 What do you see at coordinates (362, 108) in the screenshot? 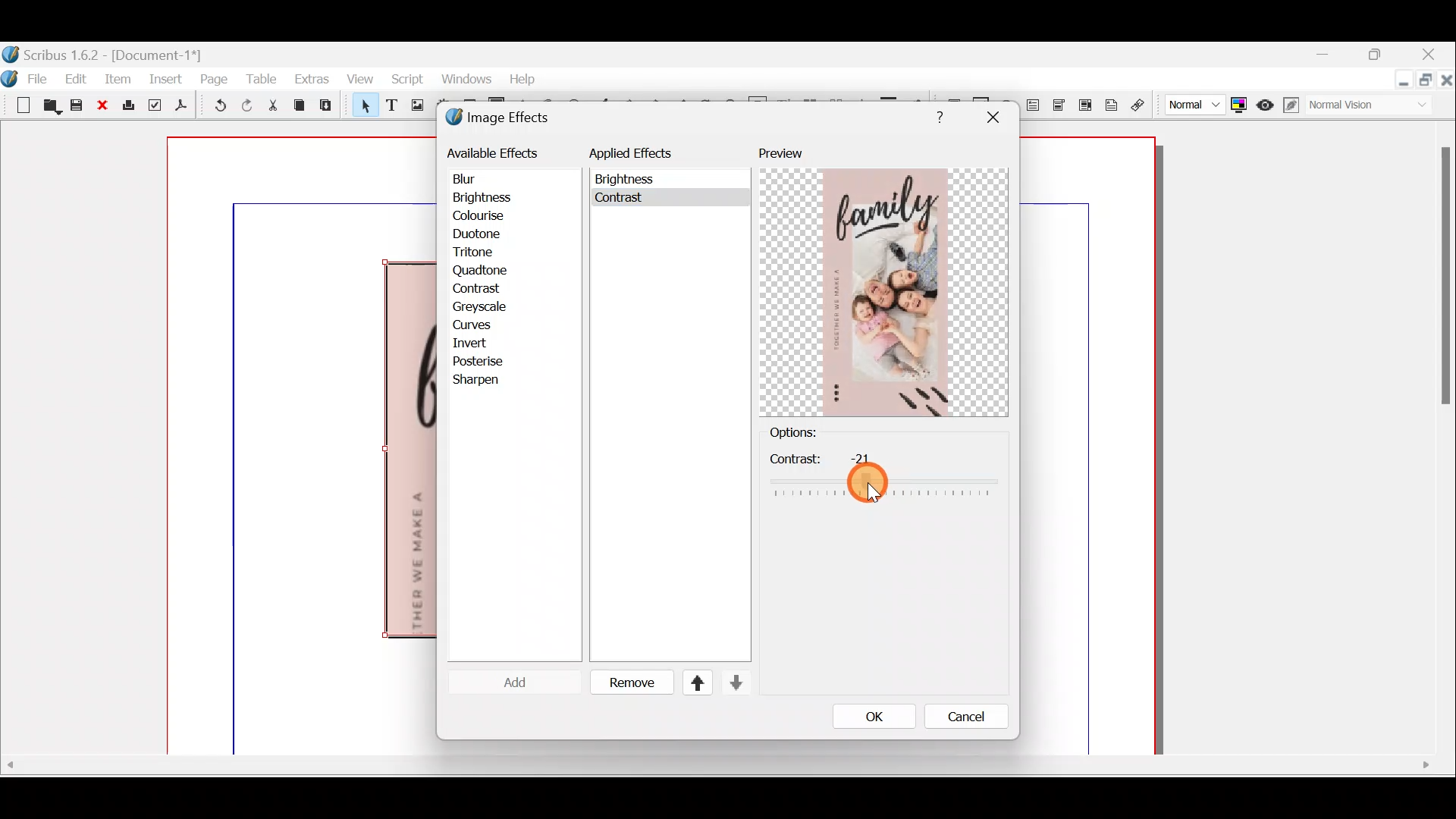
I see `Select item` at bounding box center [362, 108].